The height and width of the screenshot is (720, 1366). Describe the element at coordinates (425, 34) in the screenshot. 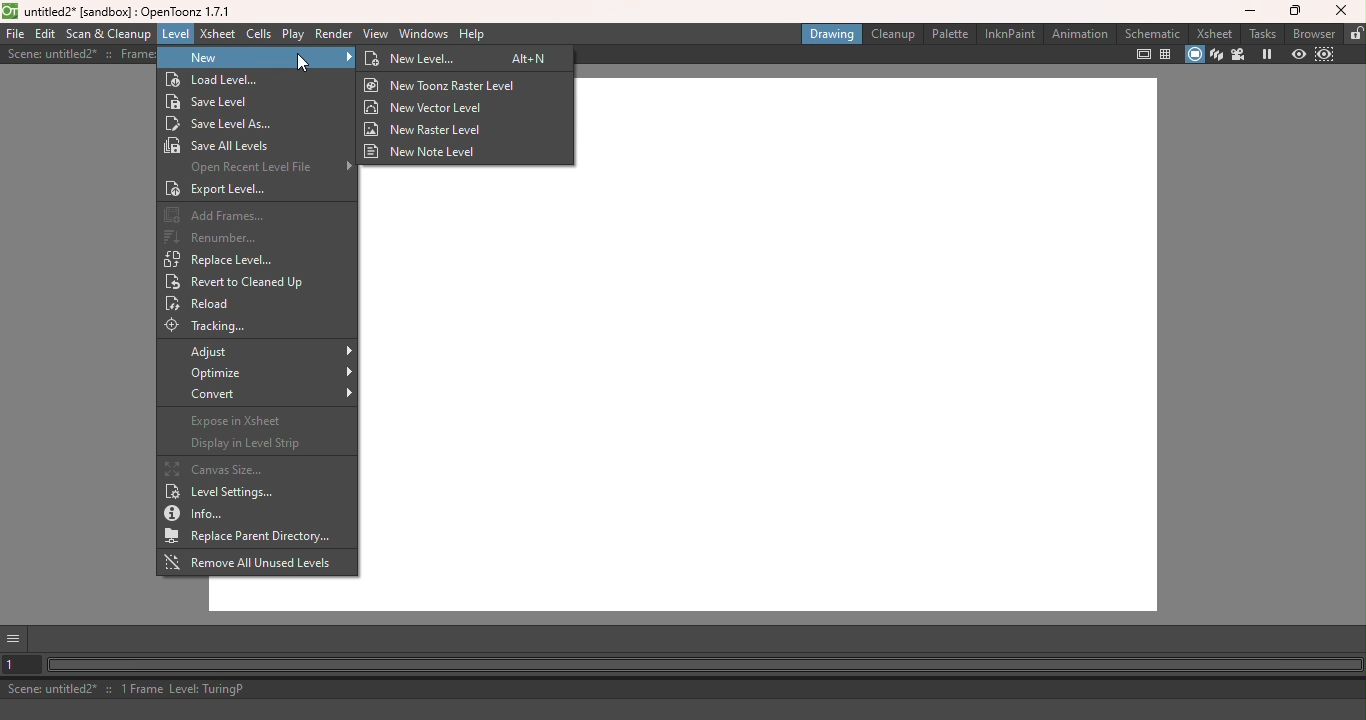

I see `Windows` at that location.